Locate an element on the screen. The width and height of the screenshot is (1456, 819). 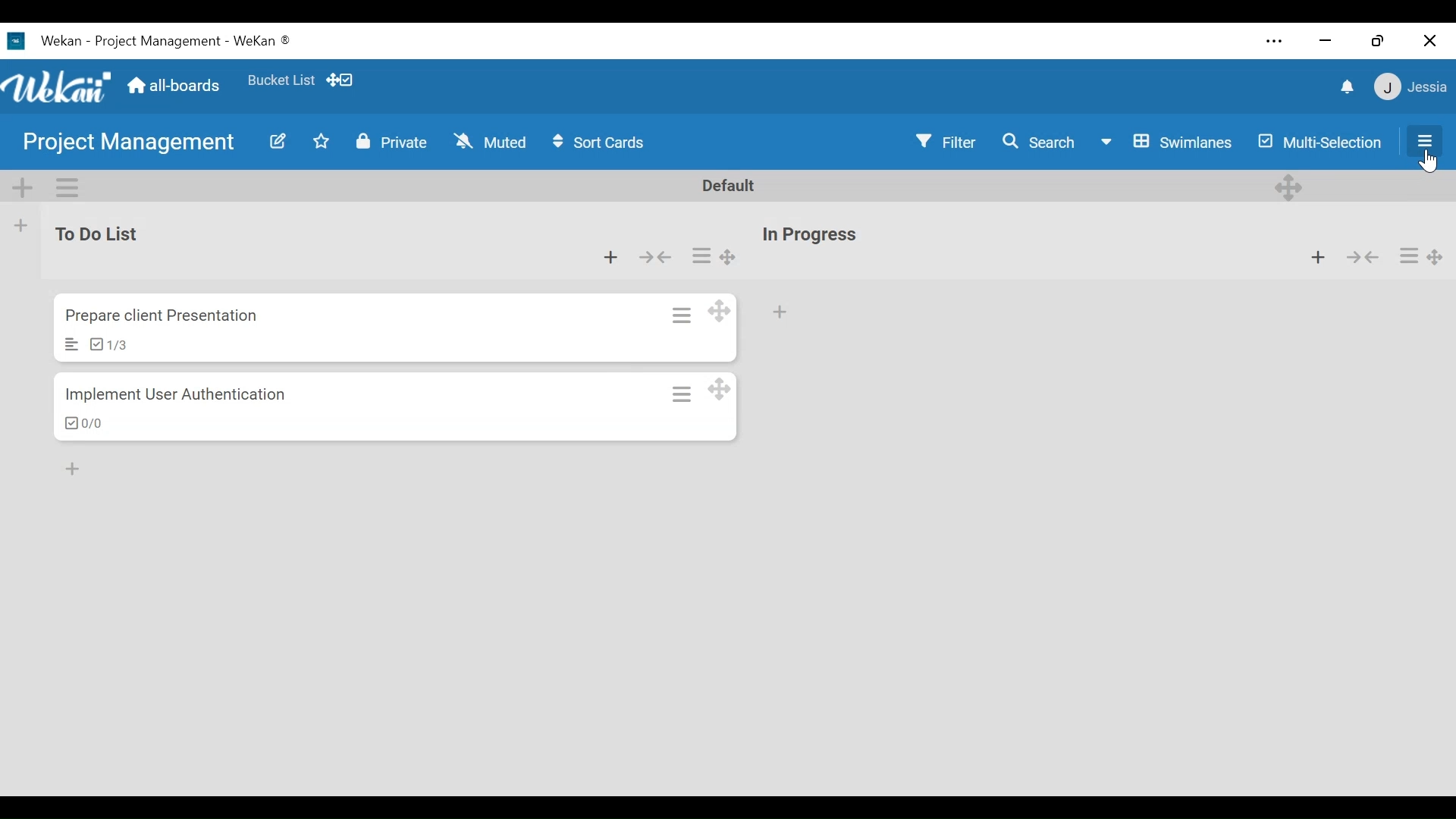
restore is located at coordinates (1379, 41).